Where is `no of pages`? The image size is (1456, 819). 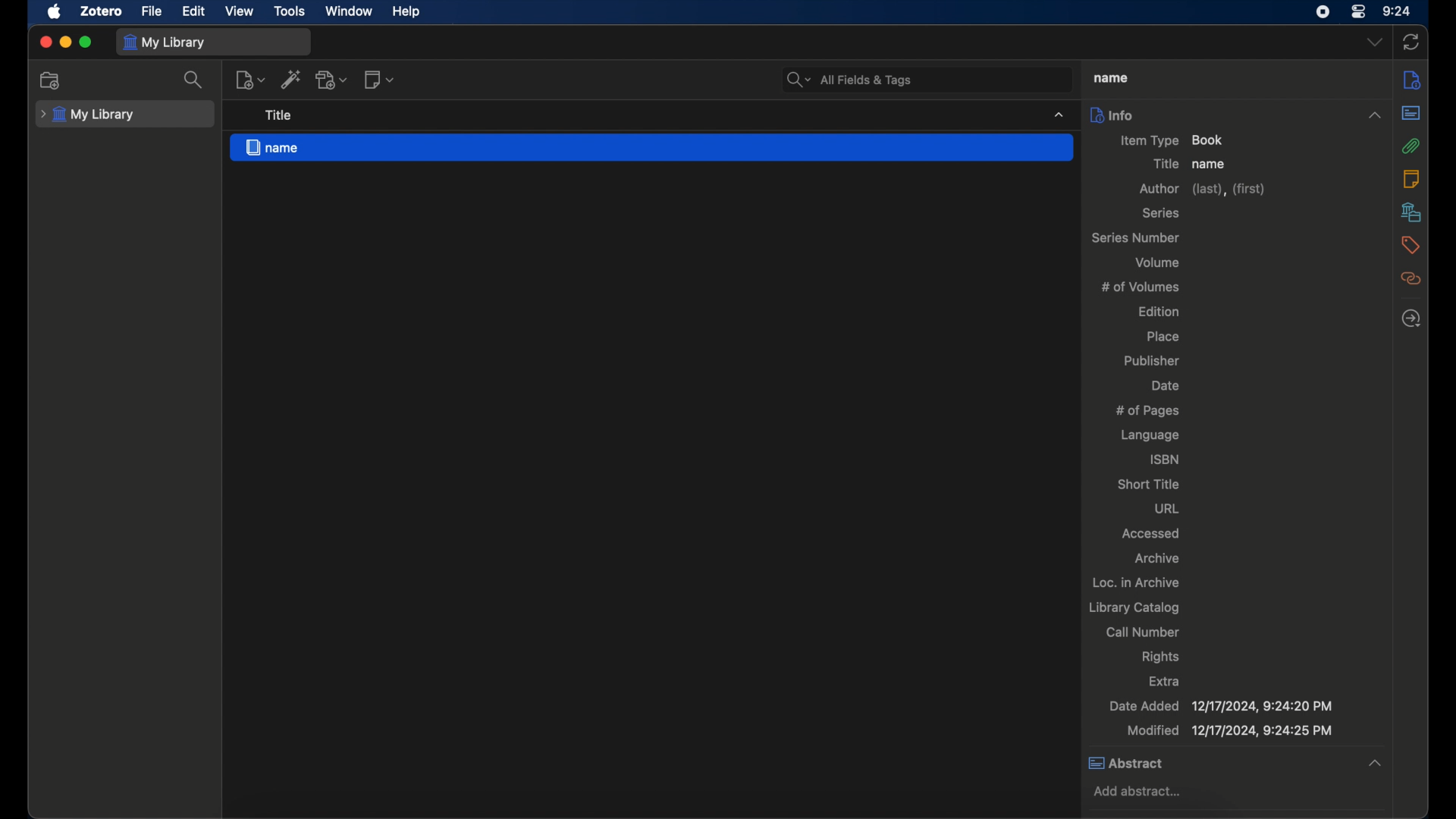 no of pages is located at coordinates (1151, 411).